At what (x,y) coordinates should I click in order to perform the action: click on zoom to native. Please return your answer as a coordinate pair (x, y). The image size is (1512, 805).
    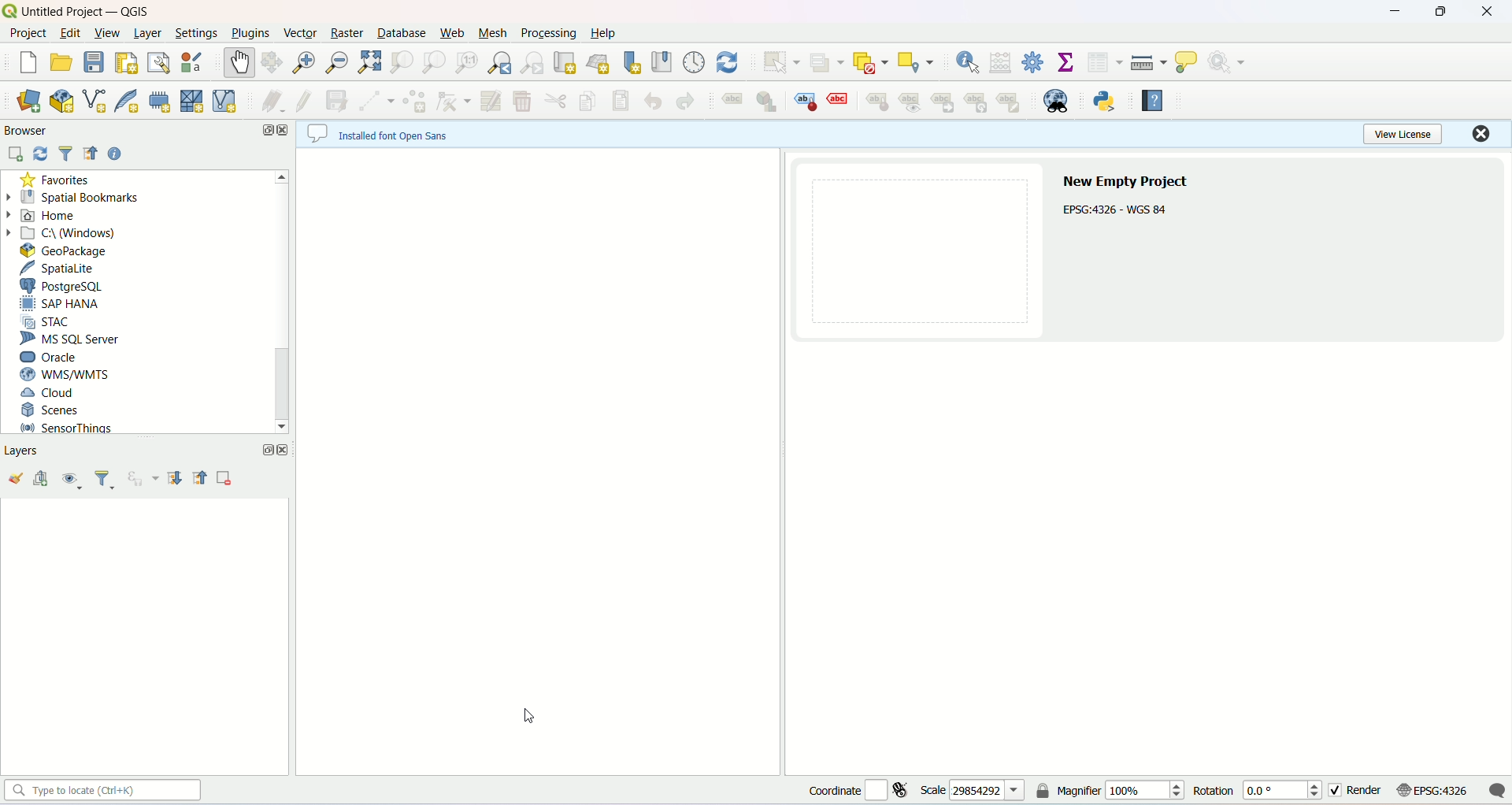
    Looking at the image, I should click on (434, 62).